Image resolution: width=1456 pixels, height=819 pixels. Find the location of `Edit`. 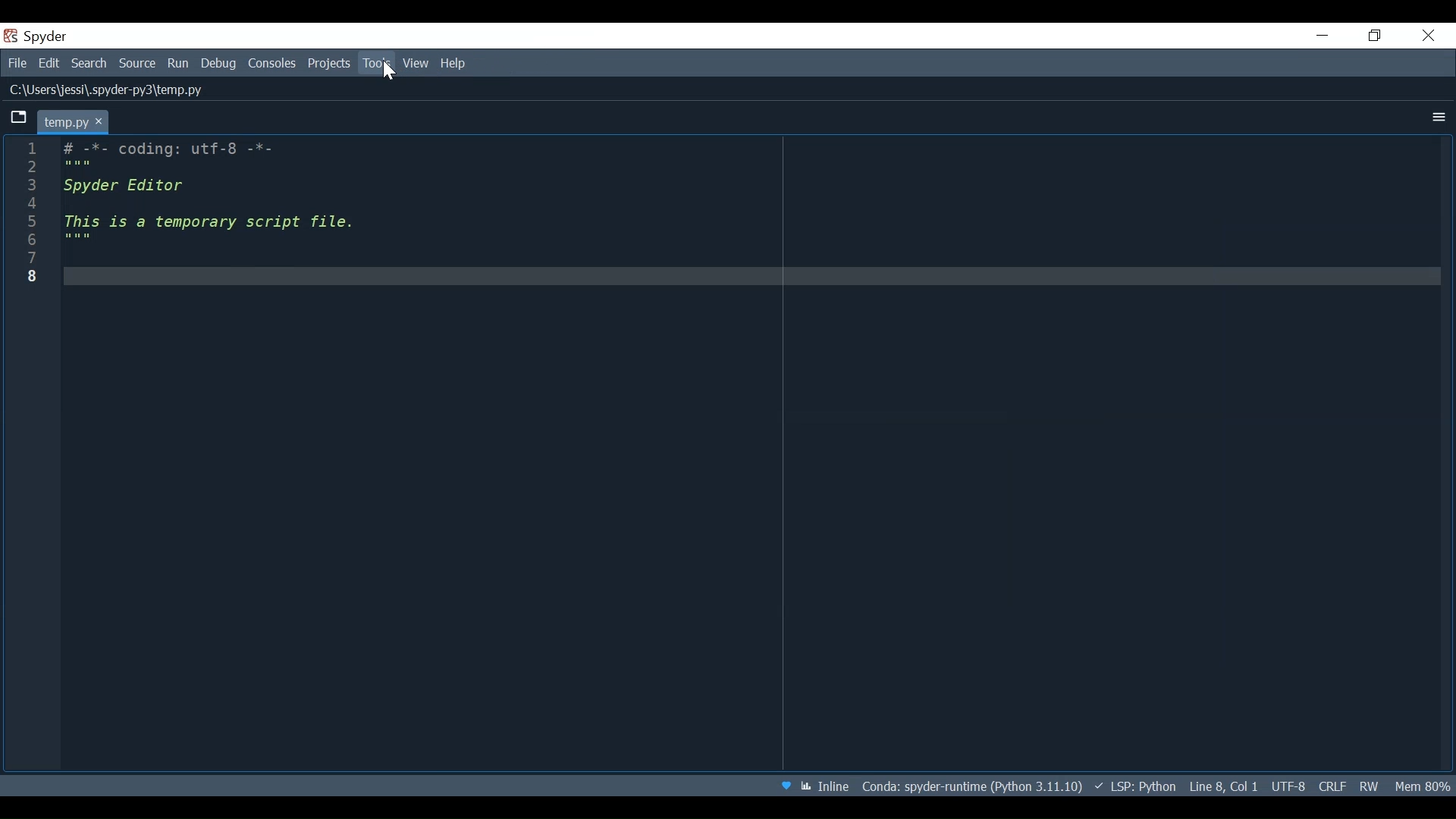

Edit is located at coordinates (45, 63).